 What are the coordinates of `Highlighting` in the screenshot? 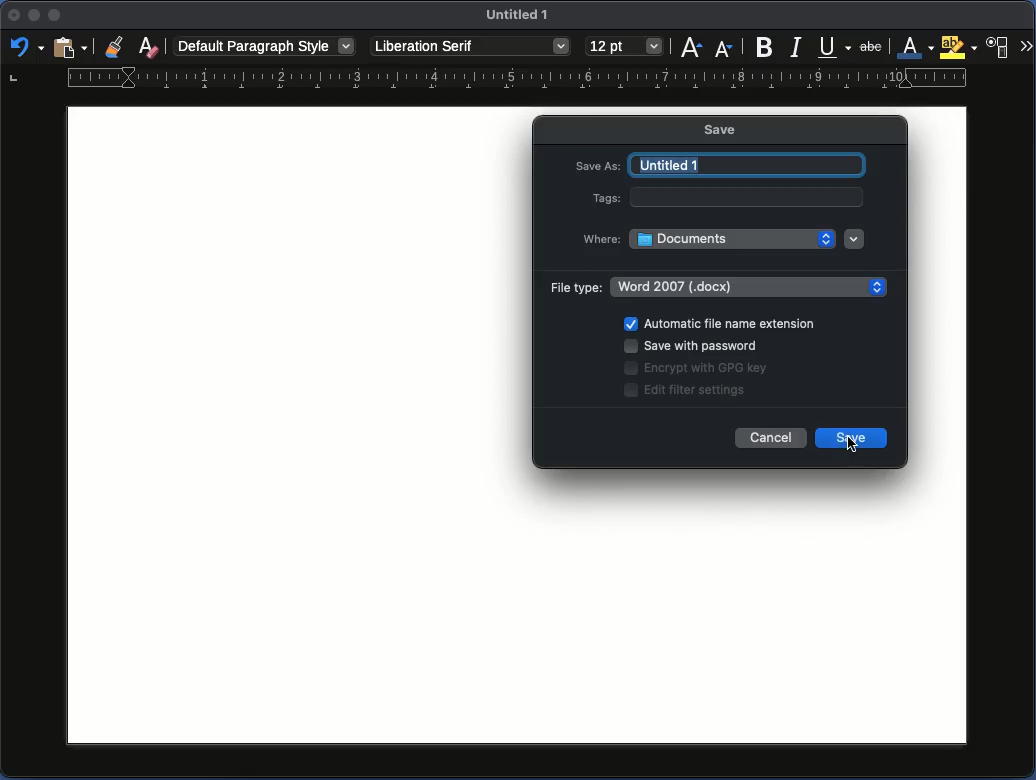 It's located at (960, 47).